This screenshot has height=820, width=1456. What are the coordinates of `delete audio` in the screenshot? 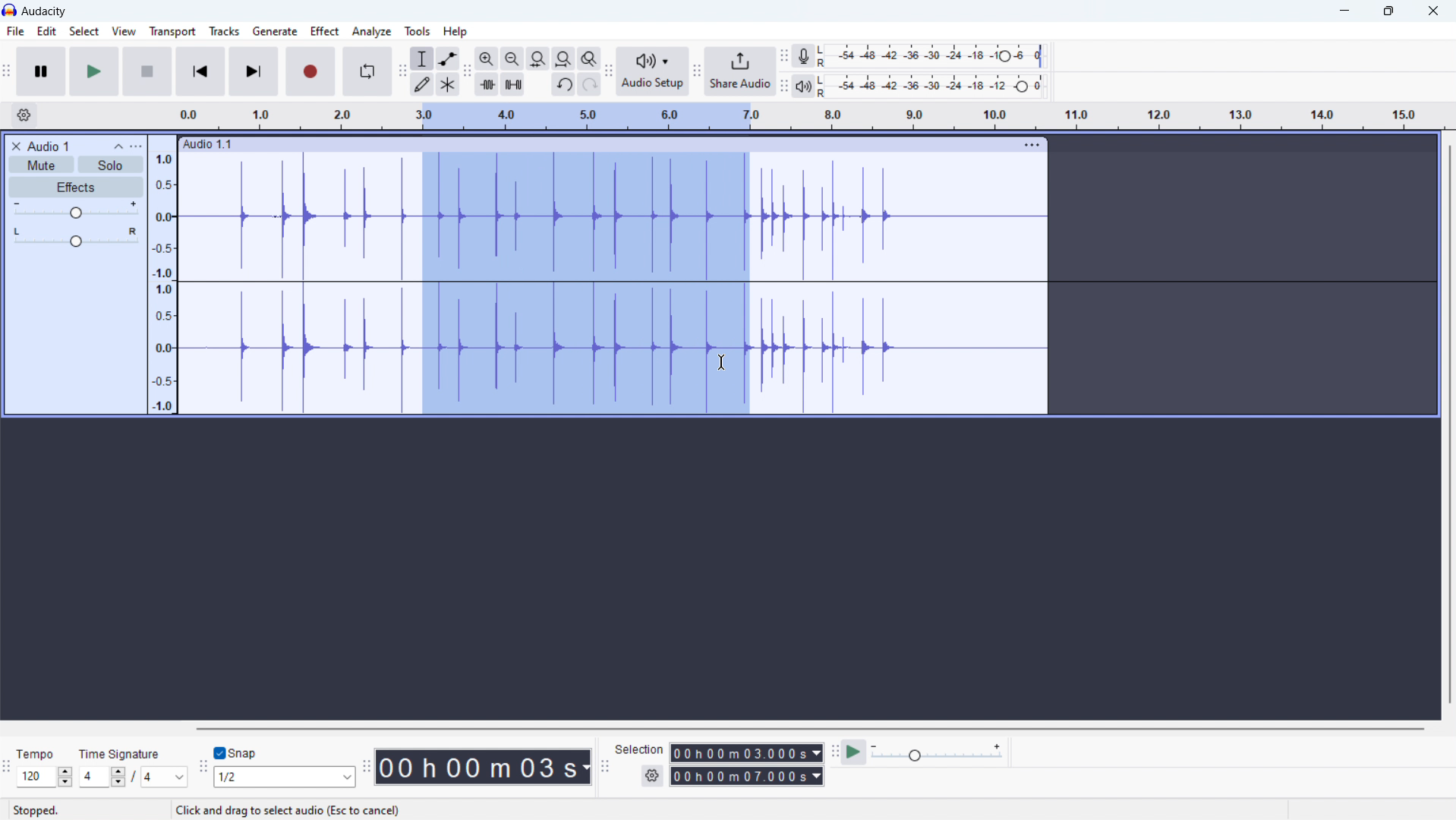 It's located at (16, 147).